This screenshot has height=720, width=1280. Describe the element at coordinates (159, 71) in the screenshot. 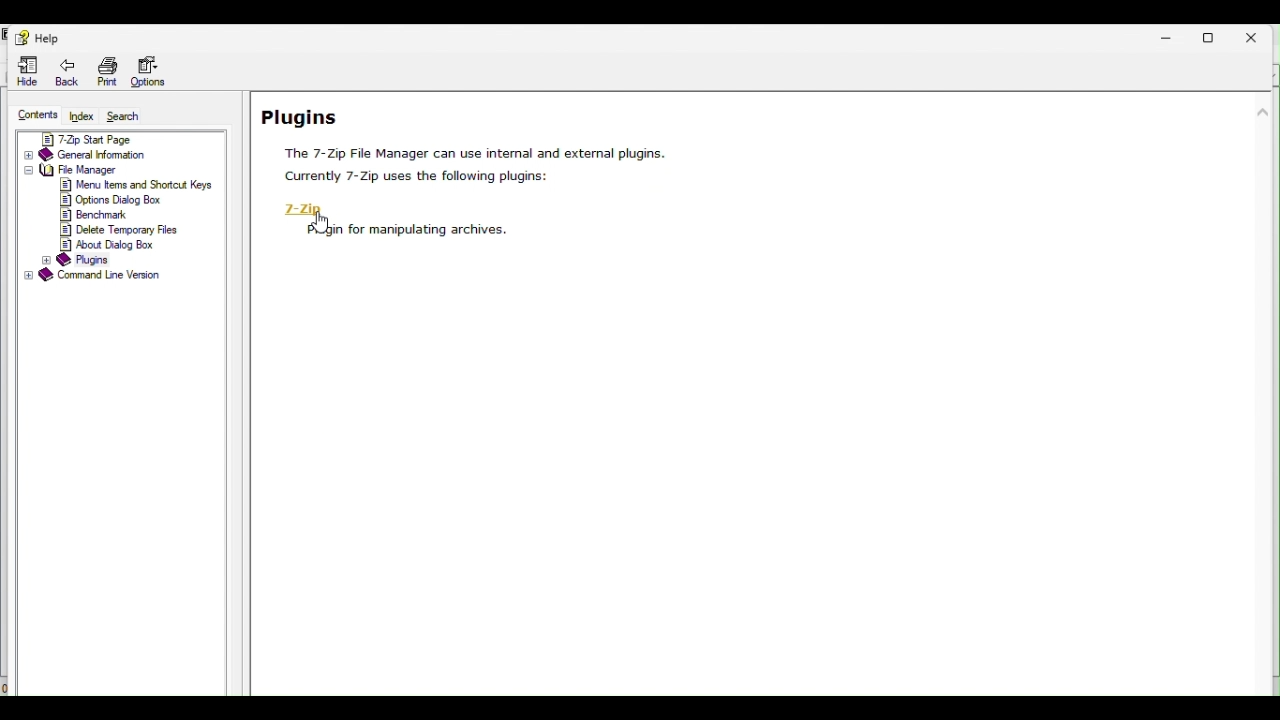

I see `Options` at that location.